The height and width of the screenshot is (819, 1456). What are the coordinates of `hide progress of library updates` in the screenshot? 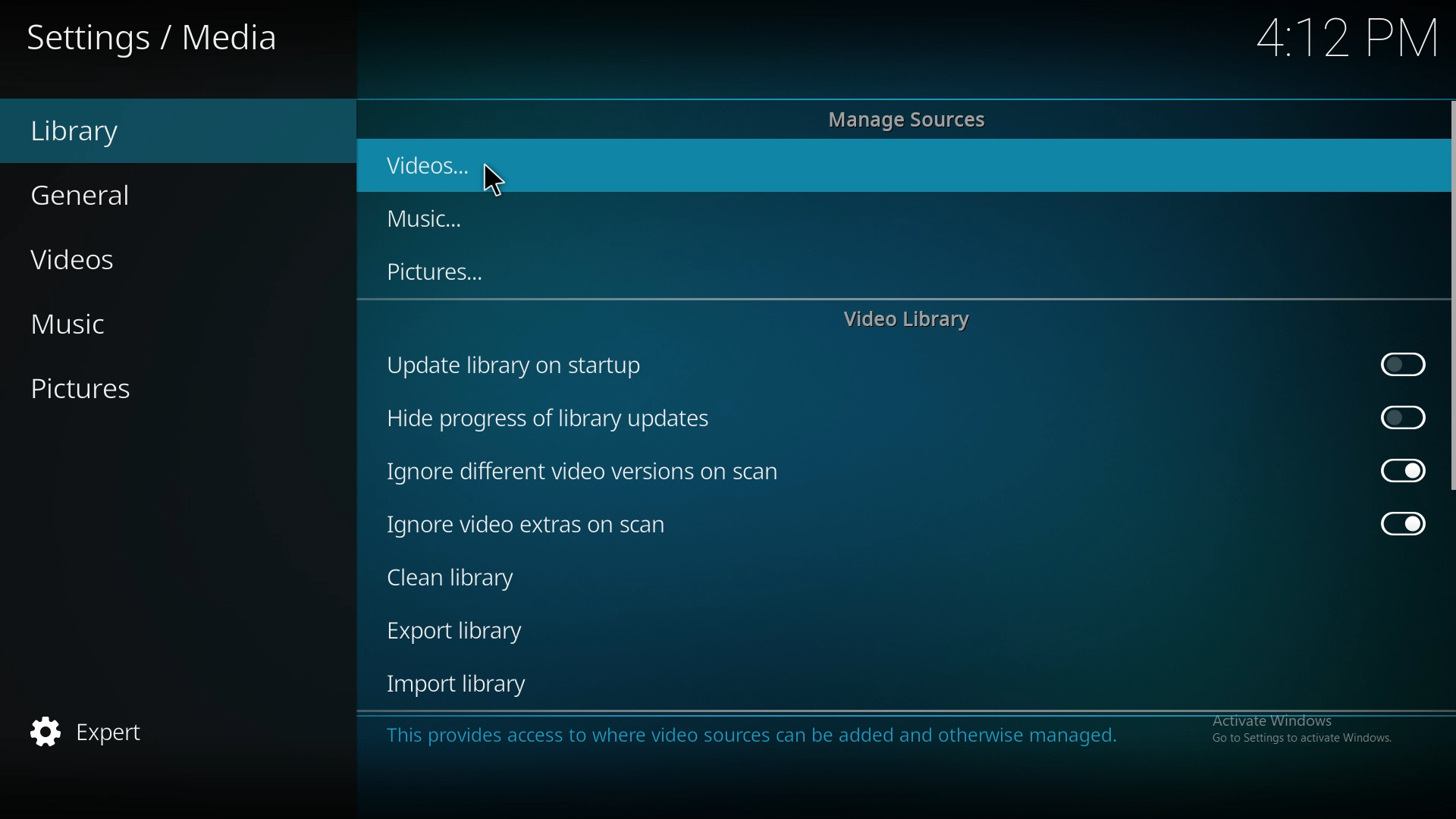 It's located at (558, 416).